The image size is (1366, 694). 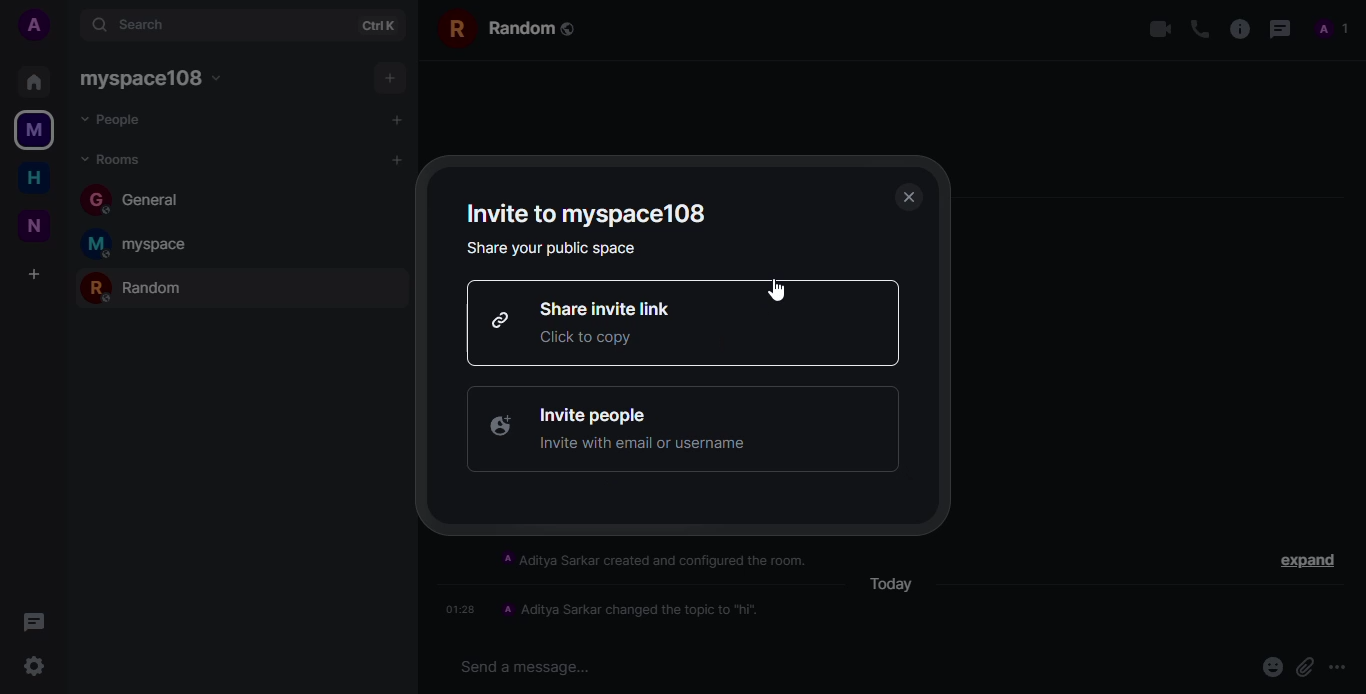 What do you see at coordinates (1154, 29) in the screenshot?
I see `video call` at bounding box center [1154, 29].